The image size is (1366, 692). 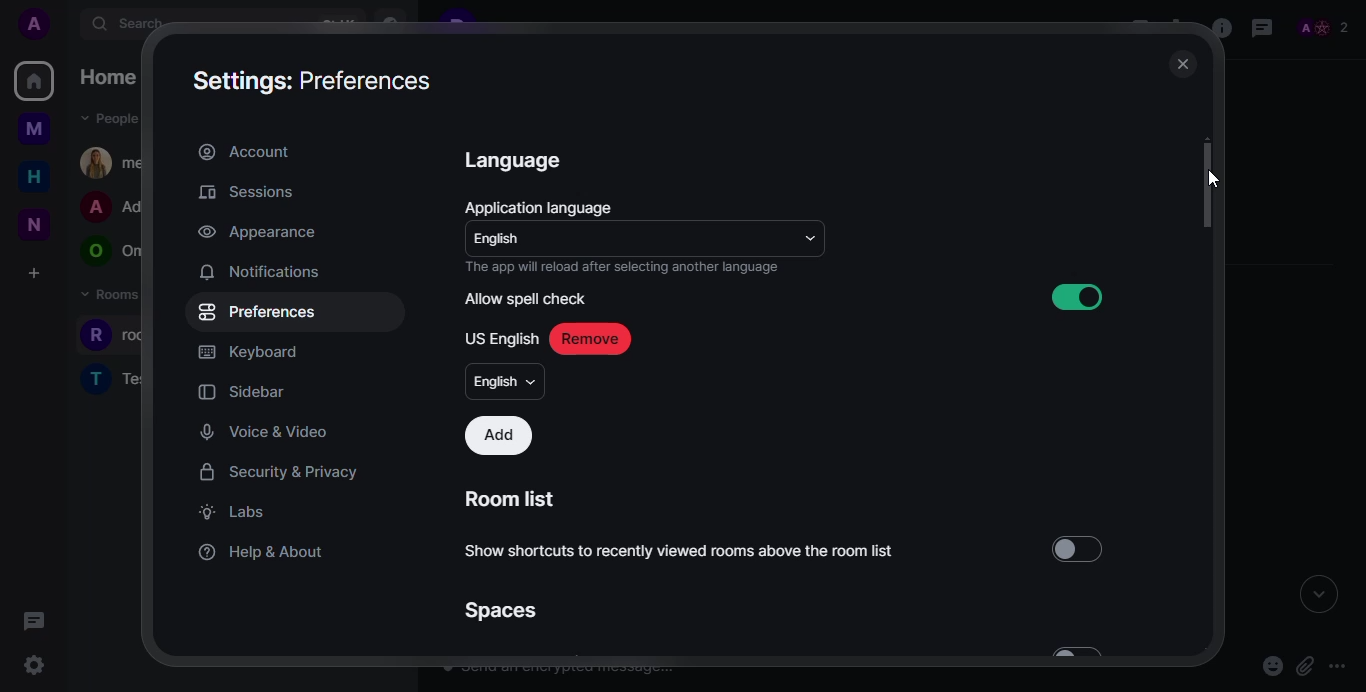 What do you see at coordinates (1072, 651) in the screenshot?
I see `Toggle button` at bounding box center [1072, 651].